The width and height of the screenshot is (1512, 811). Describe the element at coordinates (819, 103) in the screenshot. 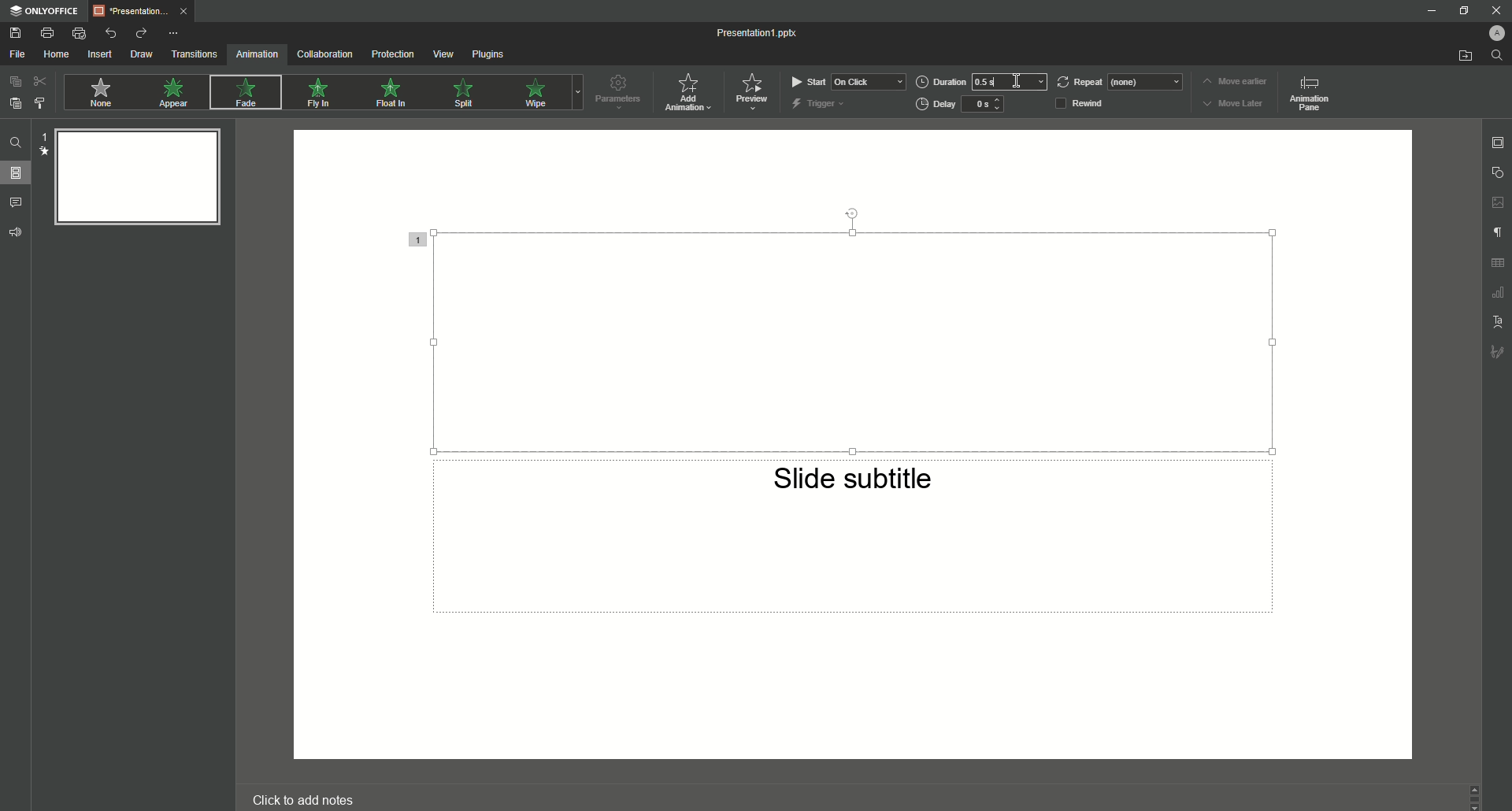

I see `Trigger` at that location.